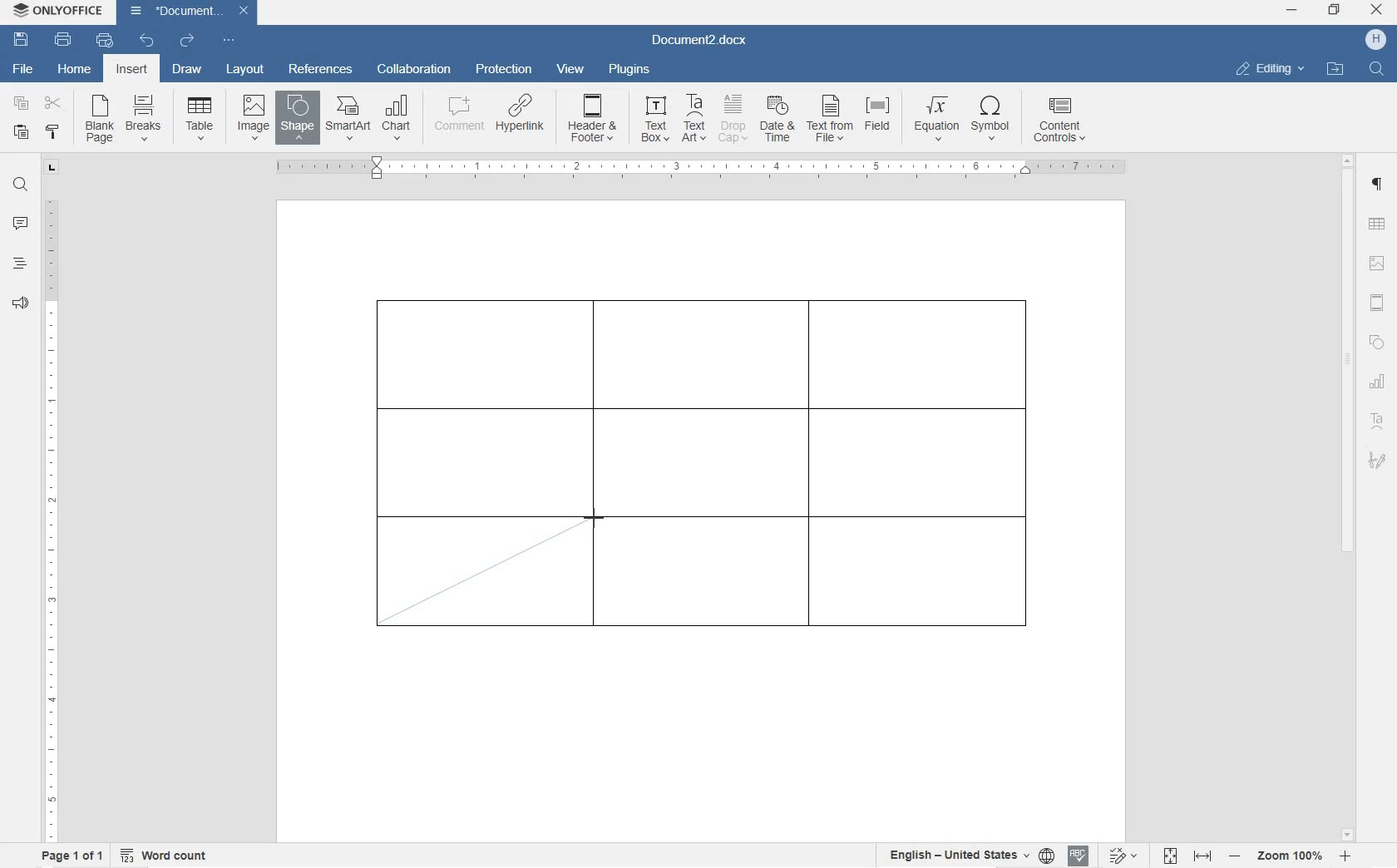  I want to click on quick print, so click(105, 40).